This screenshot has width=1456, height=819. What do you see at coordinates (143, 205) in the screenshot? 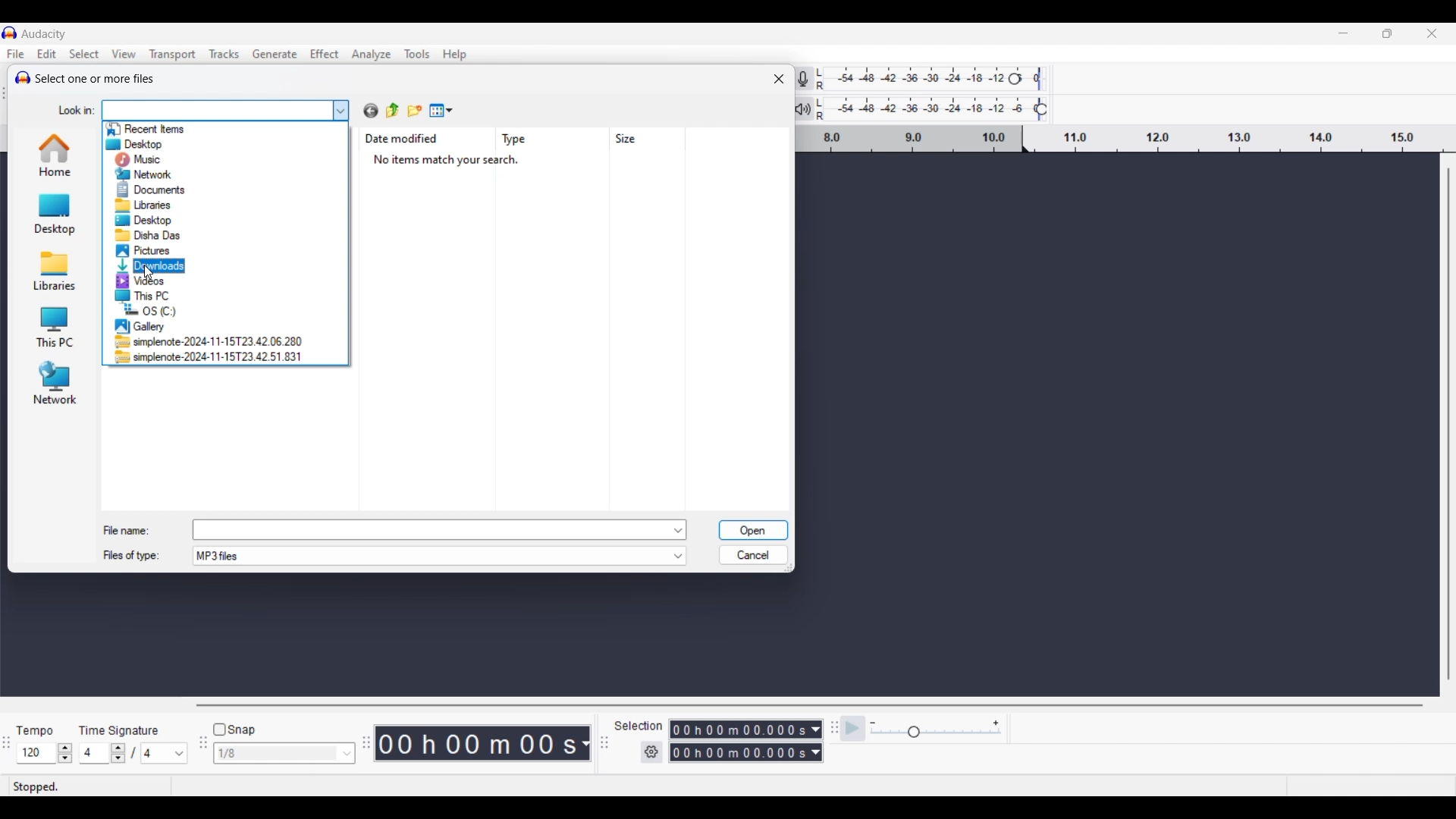
I see `libraries` at bounding box center [143, 205].